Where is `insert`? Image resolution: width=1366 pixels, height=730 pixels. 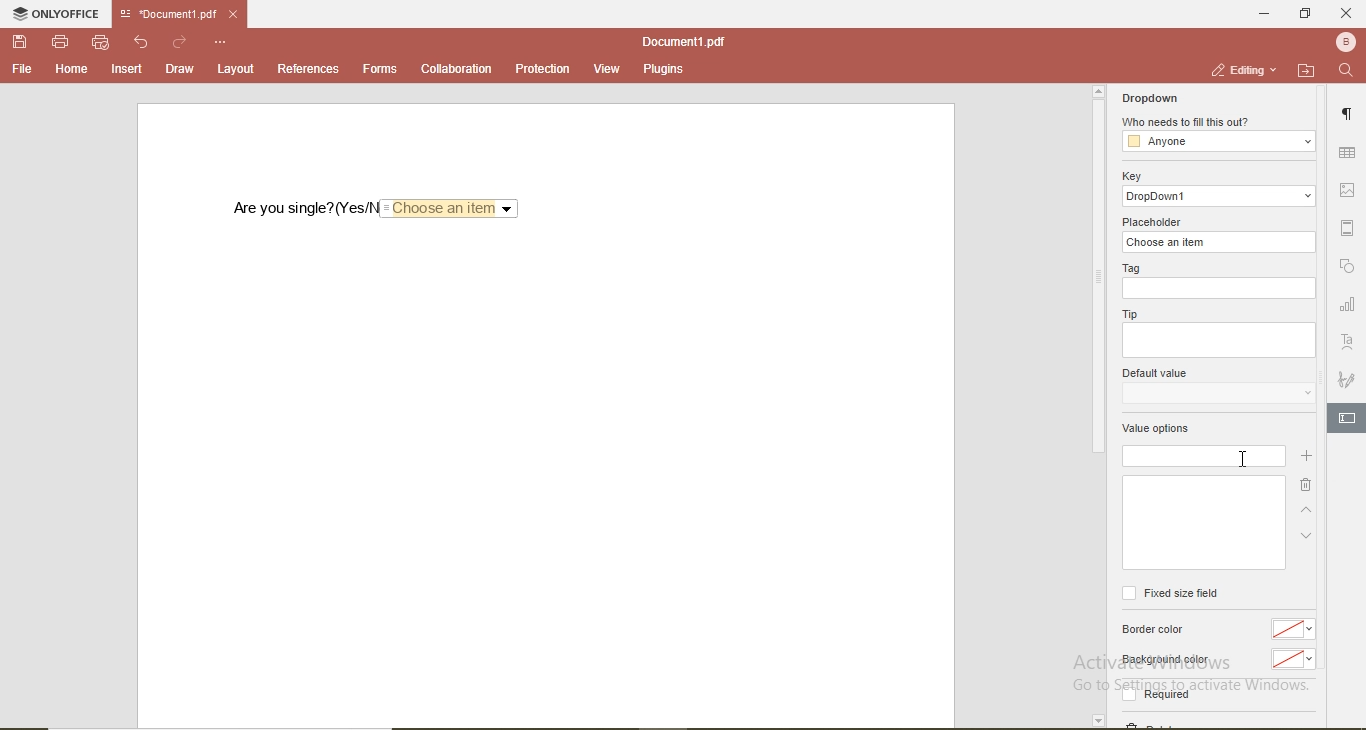
insert is located at coordinates (127, 71).